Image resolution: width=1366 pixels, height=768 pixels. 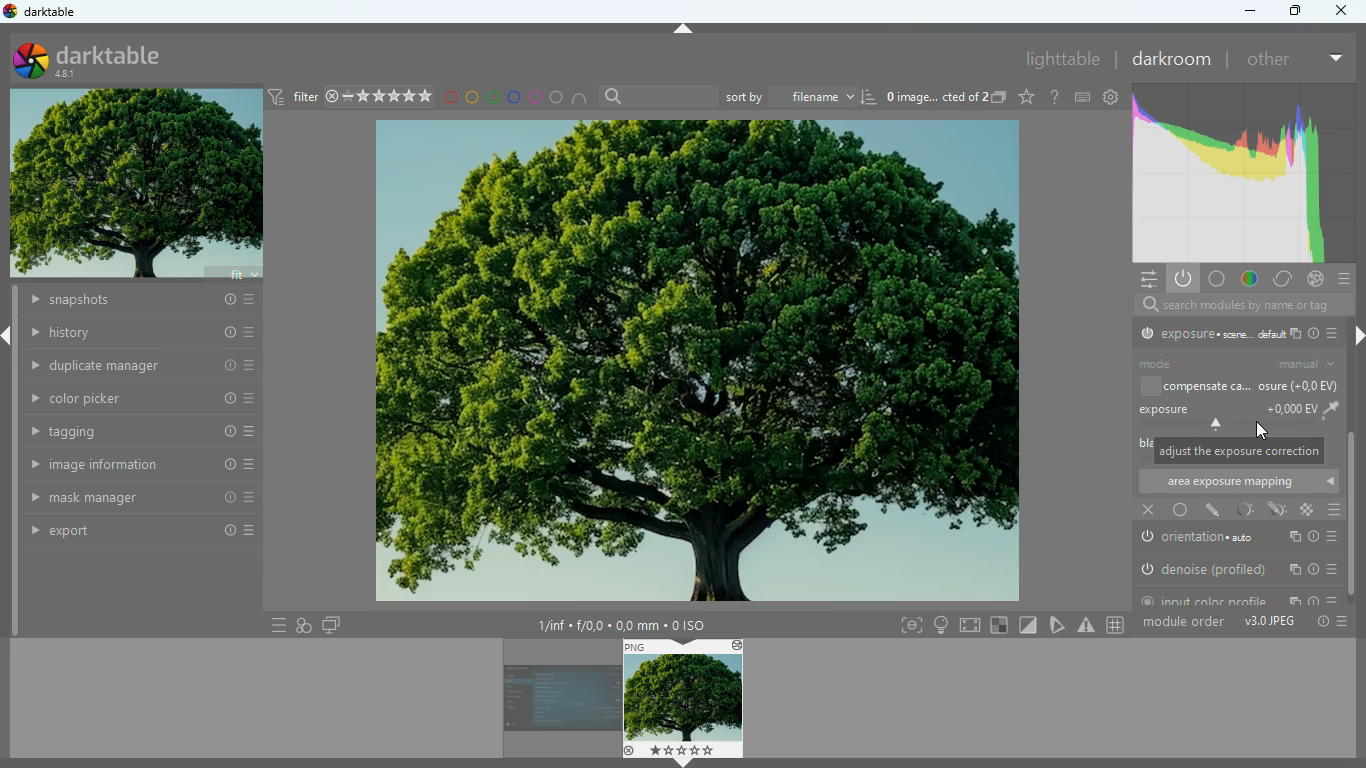 I want to click on left, so click(x=9, y=337).